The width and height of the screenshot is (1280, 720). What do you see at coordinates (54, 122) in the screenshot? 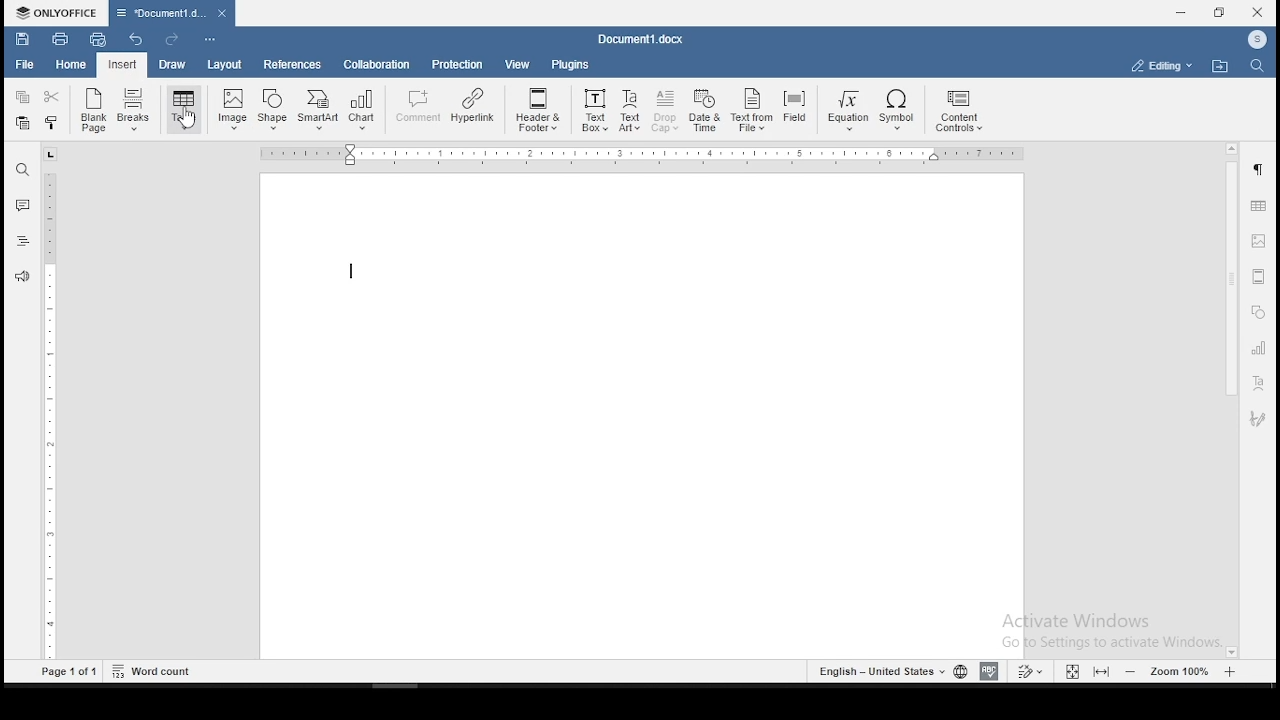
I see `copy formatting` at bounding box center [54, 122].